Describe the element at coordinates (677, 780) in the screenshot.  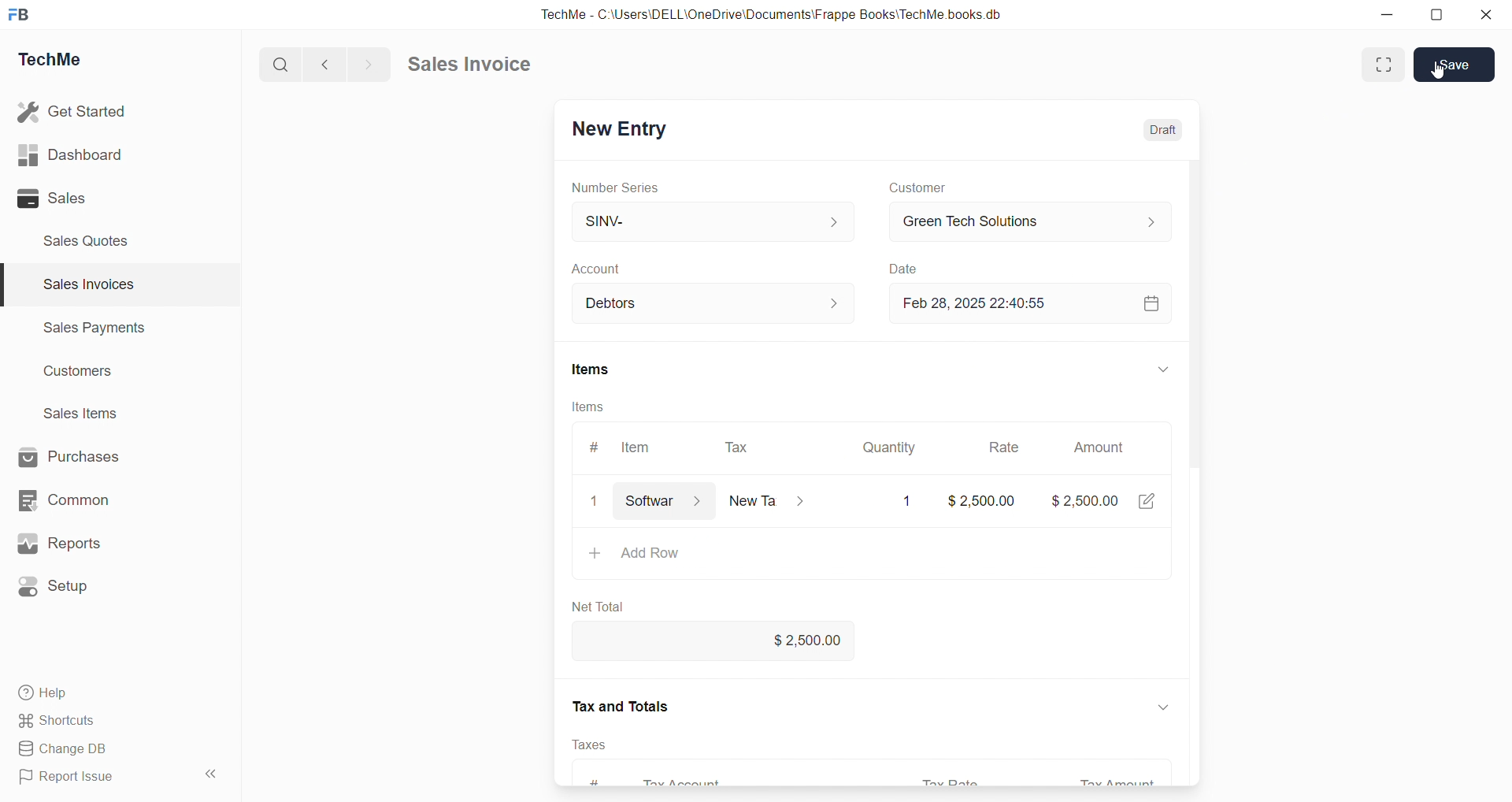
I see `Tax Account` at that location.